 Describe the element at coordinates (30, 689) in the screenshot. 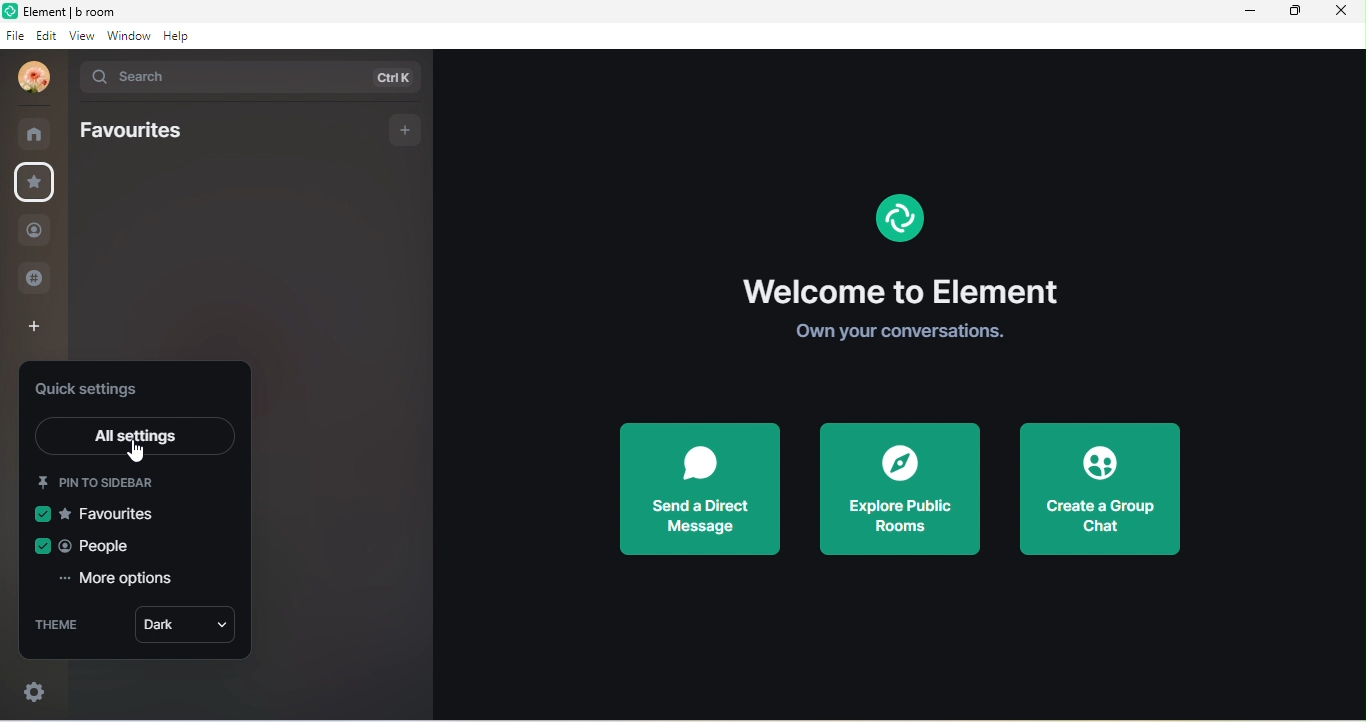

I see `quick settings` at that location.